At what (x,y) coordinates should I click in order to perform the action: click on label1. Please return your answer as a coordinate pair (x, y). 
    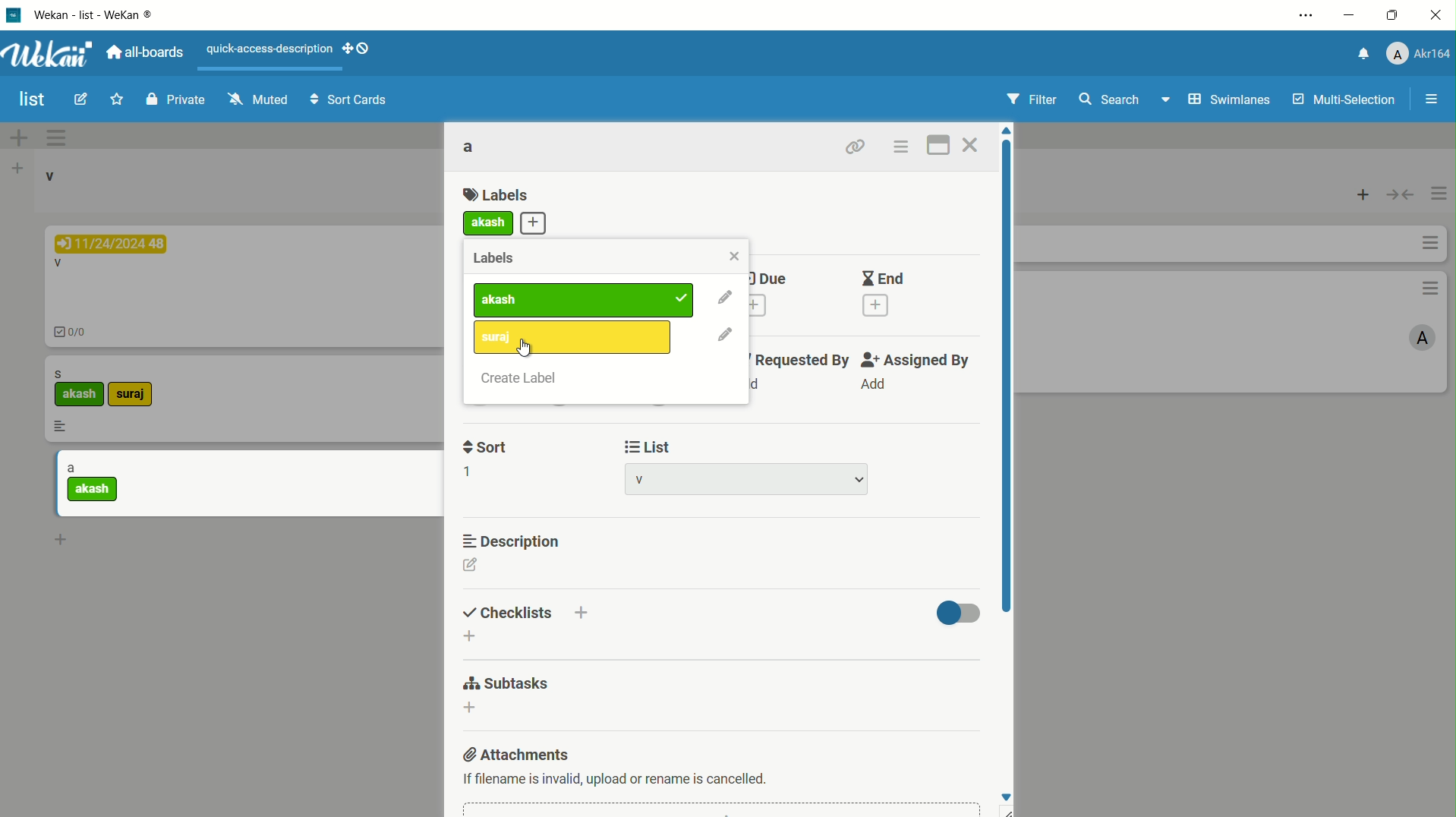
    Looking at the image, I should click on (498, 298).